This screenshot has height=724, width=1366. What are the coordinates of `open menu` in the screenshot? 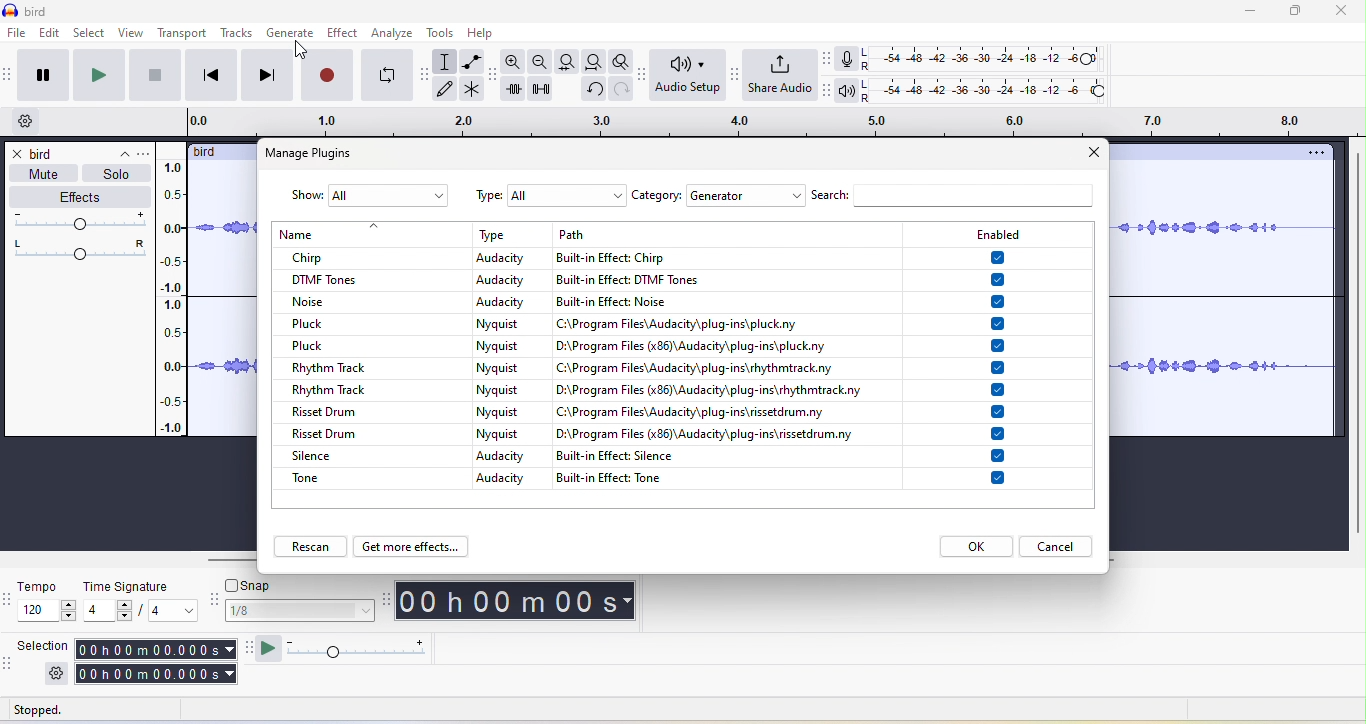 It's located at (144, 153).